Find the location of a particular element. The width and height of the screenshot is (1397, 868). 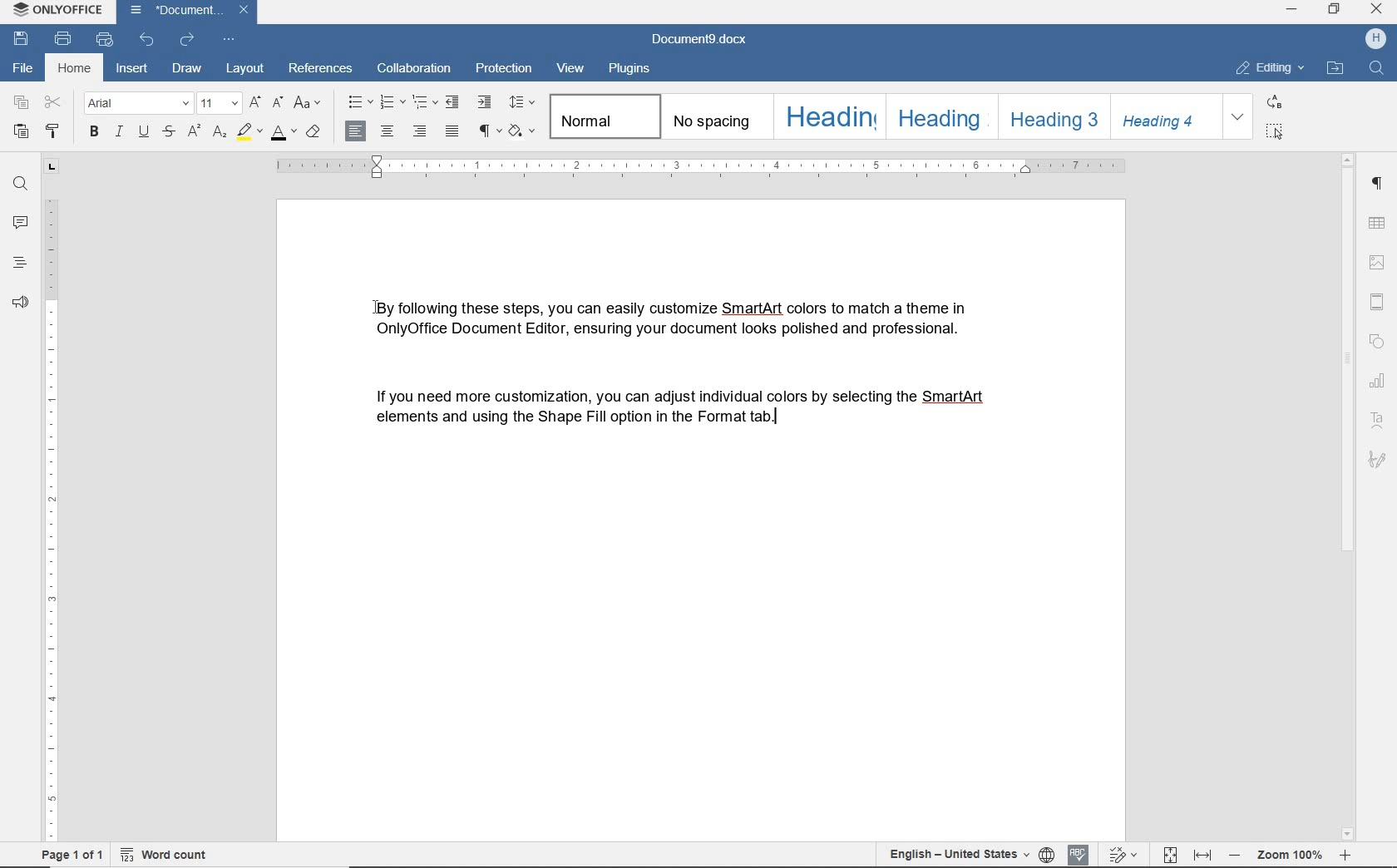

find is located at coordinates (20, 184).